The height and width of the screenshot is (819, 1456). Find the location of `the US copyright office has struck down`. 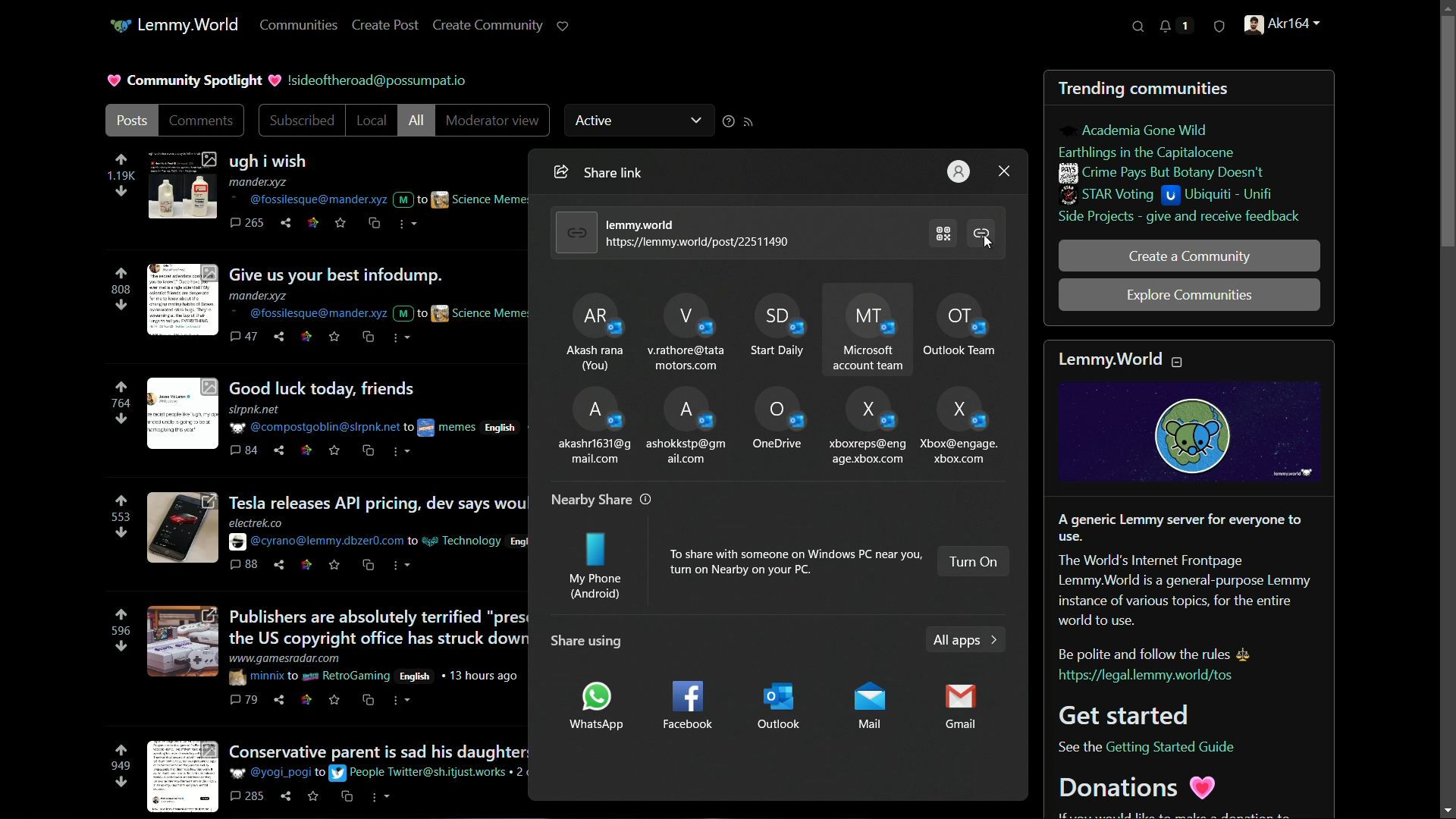

the US copyright office has struck down is located at coordinates (378, 639).